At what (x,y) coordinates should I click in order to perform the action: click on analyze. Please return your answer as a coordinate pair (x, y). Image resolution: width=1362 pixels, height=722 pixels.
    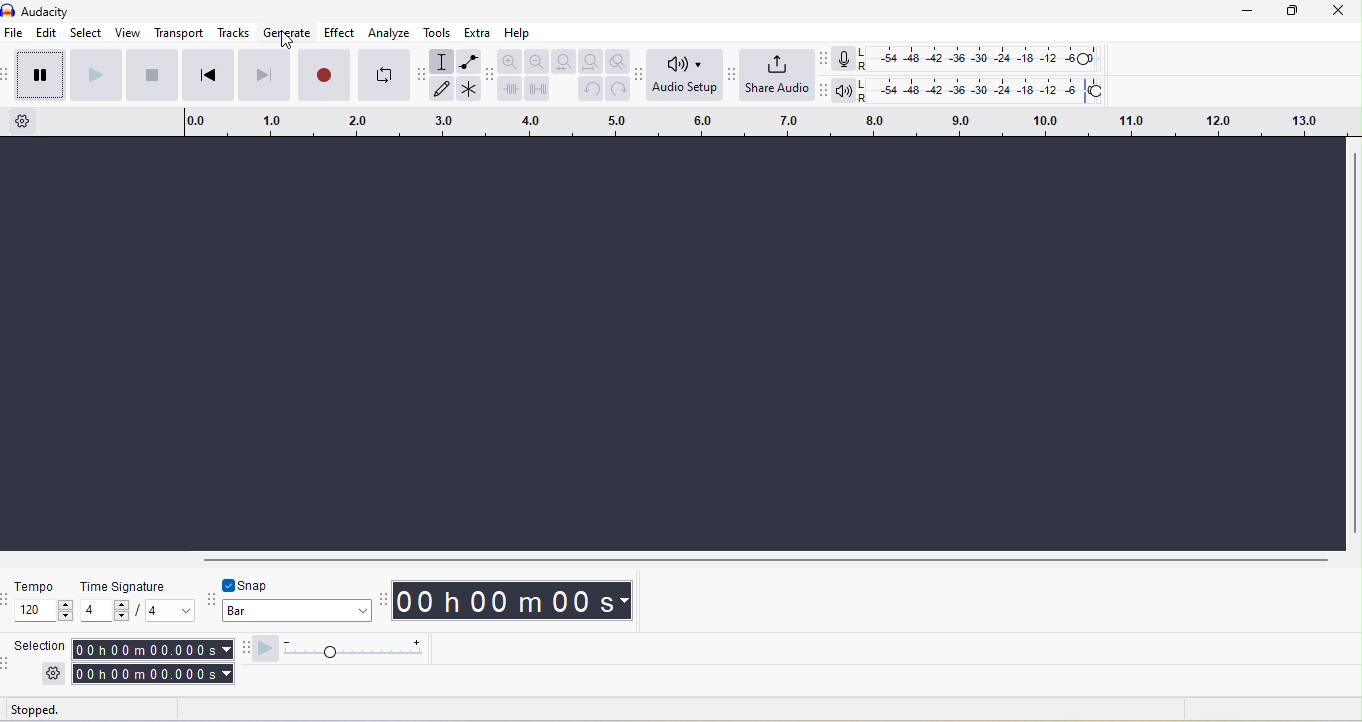
    Looking at the image, I should click on (393, 33).